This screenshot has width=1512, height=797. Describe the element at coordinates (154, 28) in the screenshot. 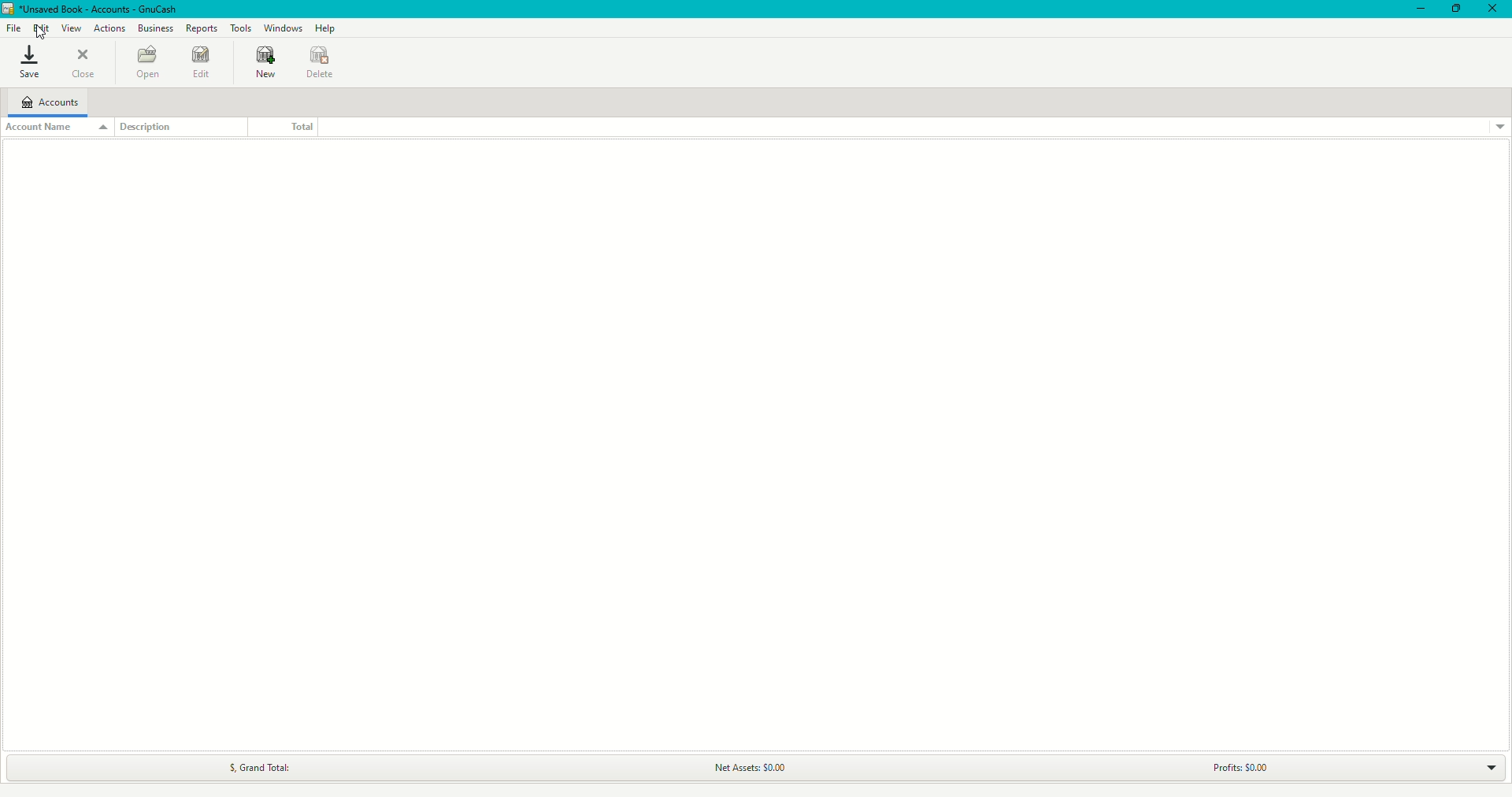

I see `Business` at that location.